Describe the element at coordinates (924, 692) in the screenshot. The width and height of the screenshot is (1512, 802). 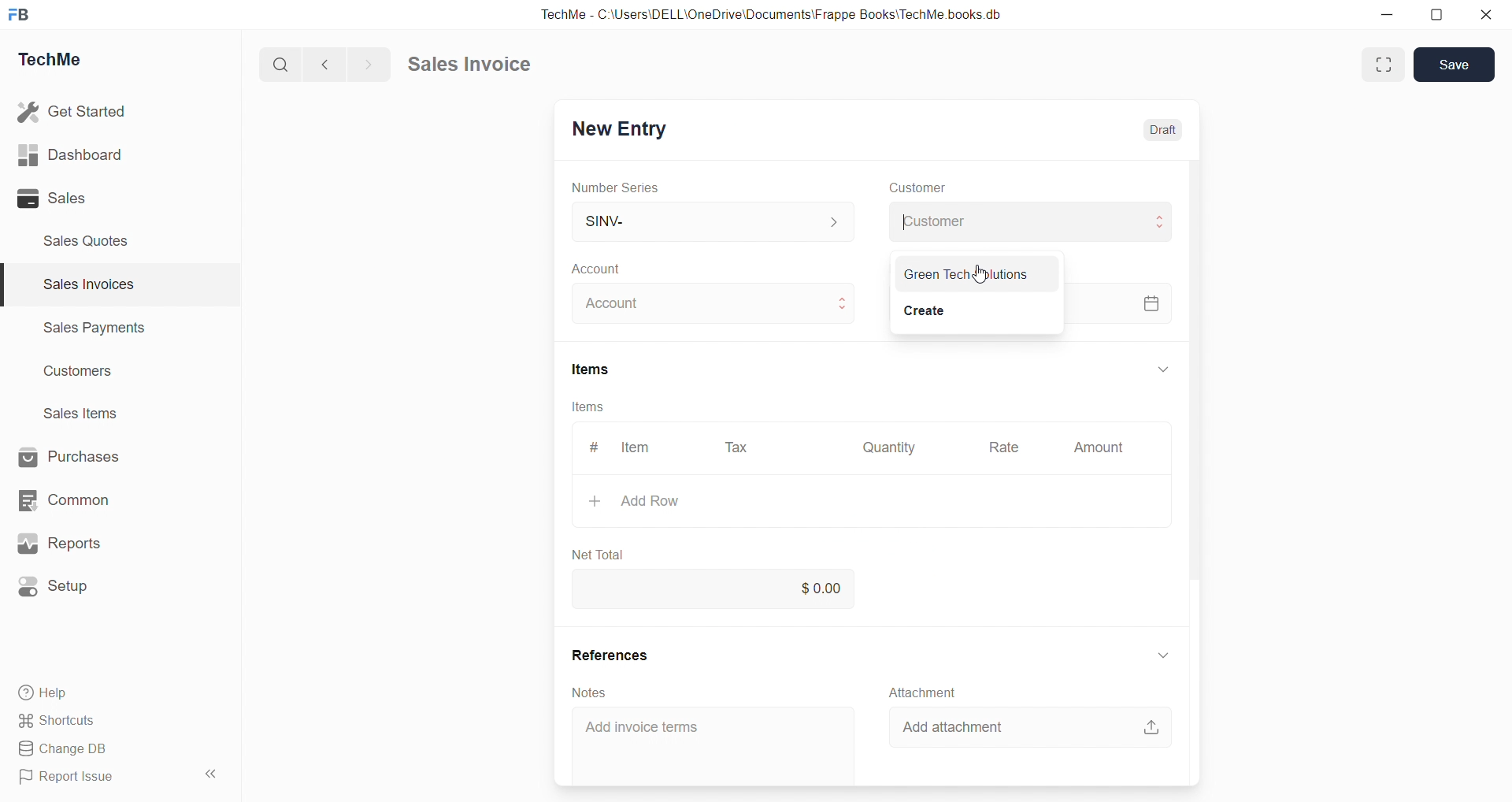
I see `Attachment` at that location.